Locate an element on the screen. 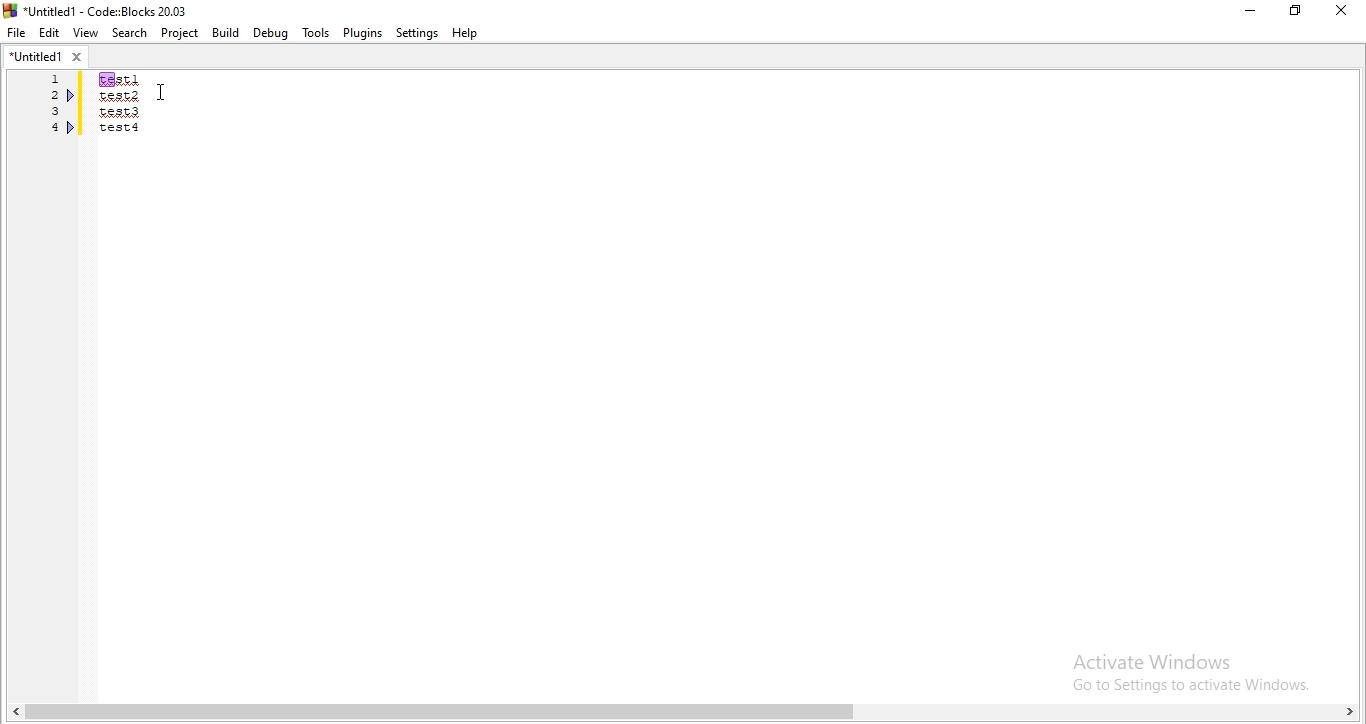  cursor is located at coordinates (161, 92).